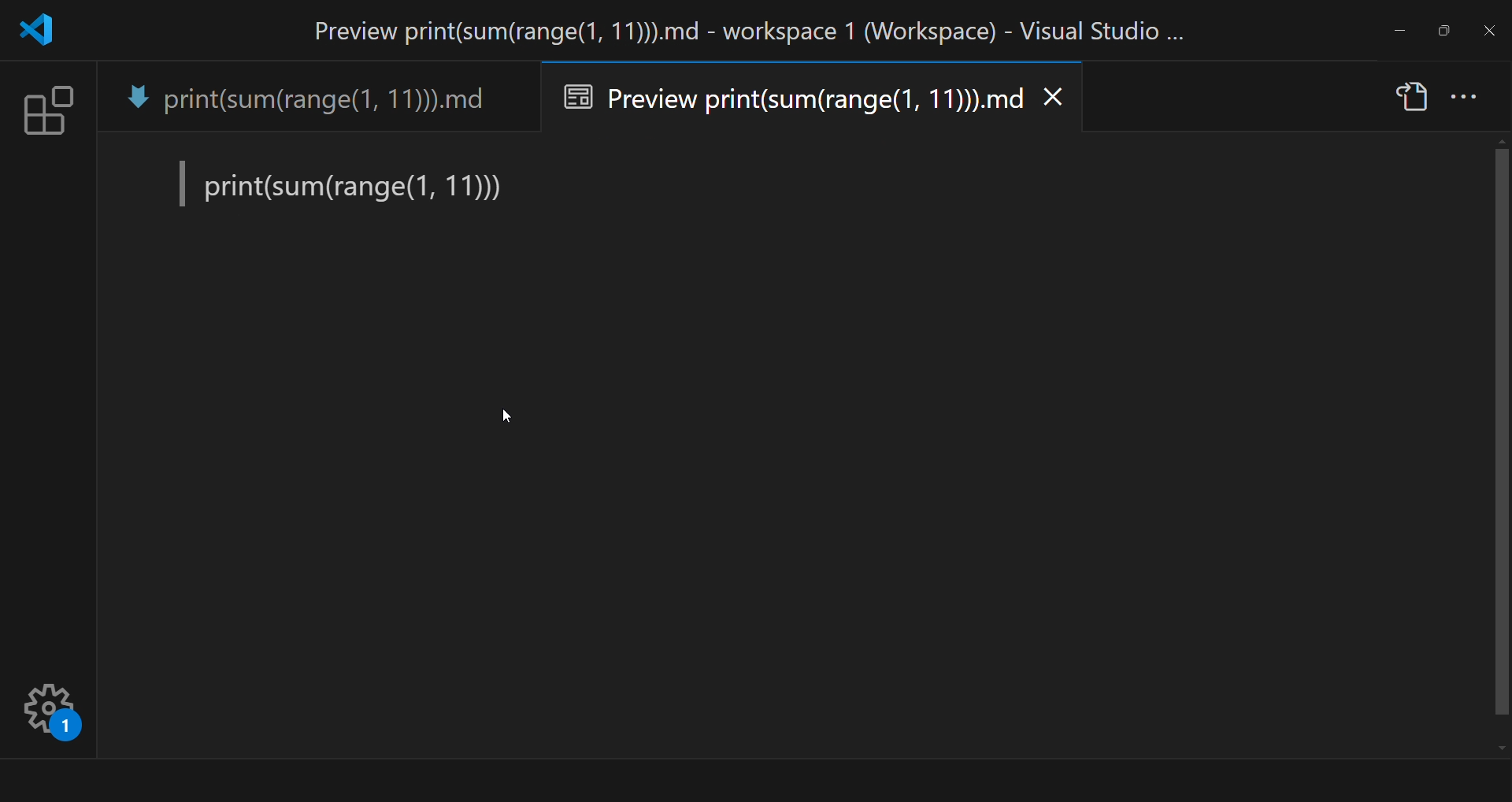 The height and width of the screenshot is (802, 1512). What do you see at coordinates (1495, 444) in the screenshot?
I see `Scroll bar` at bounding box center [1495, 444].